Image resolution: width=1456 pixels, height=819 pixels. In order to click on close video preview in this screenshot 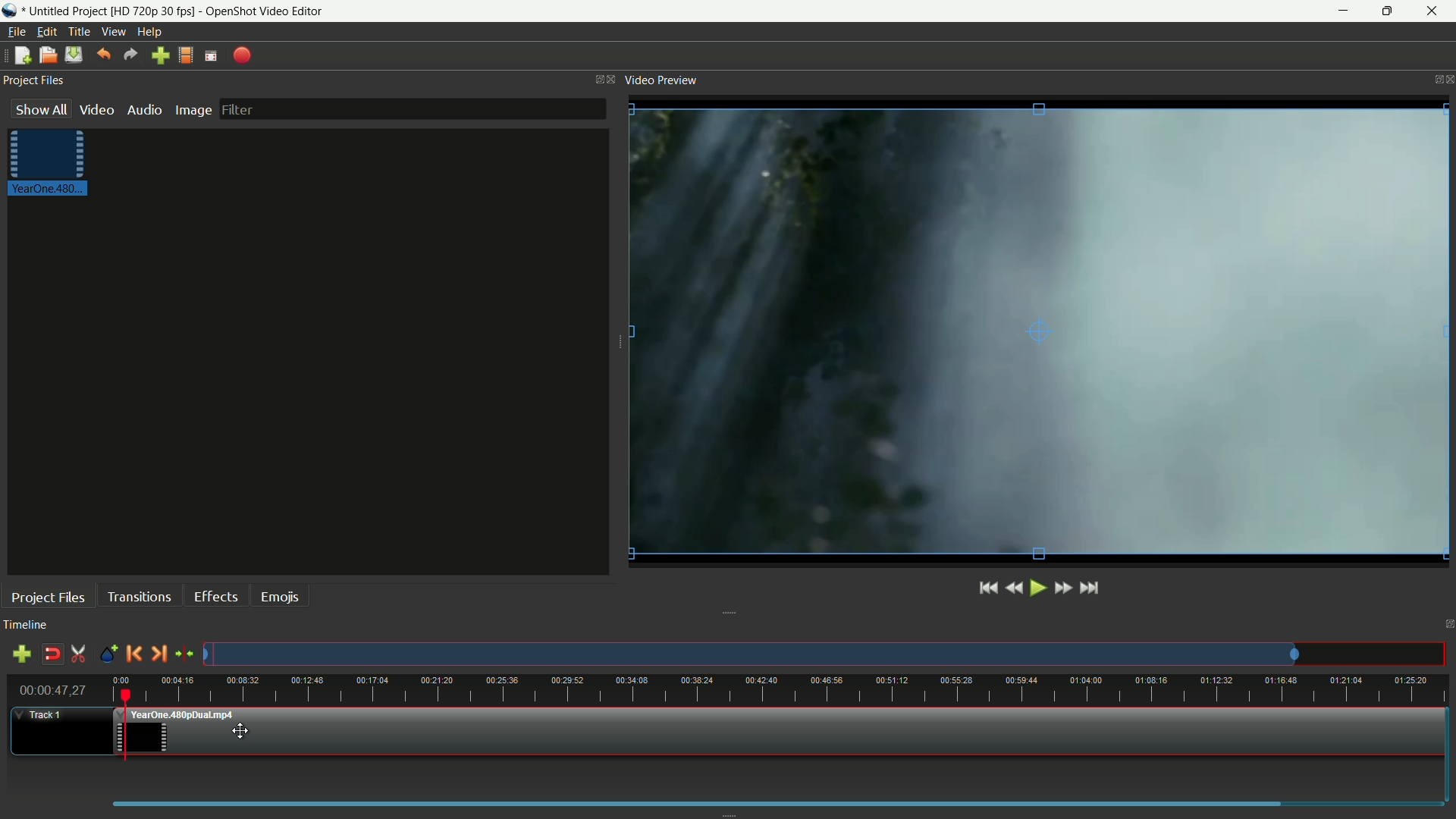, I will do `click(1447, 77)`.